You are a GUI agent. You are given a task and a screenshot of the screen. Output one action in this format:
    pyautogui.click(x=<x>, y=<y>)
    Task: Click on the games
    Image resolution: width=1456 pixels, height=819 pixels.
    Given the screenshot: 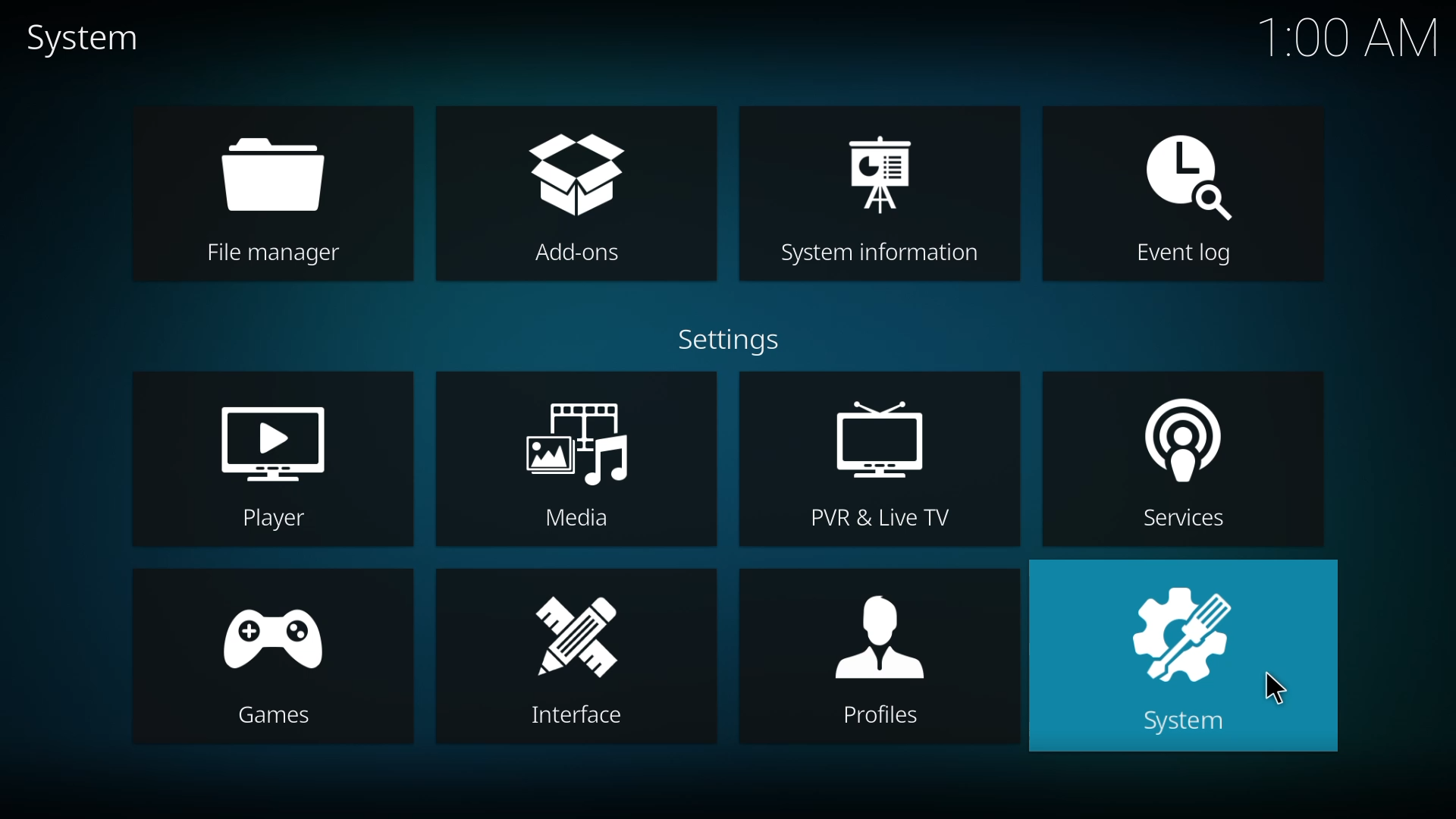 What is the action you would take?
    pyautogui.click(x=282, y=661)
    